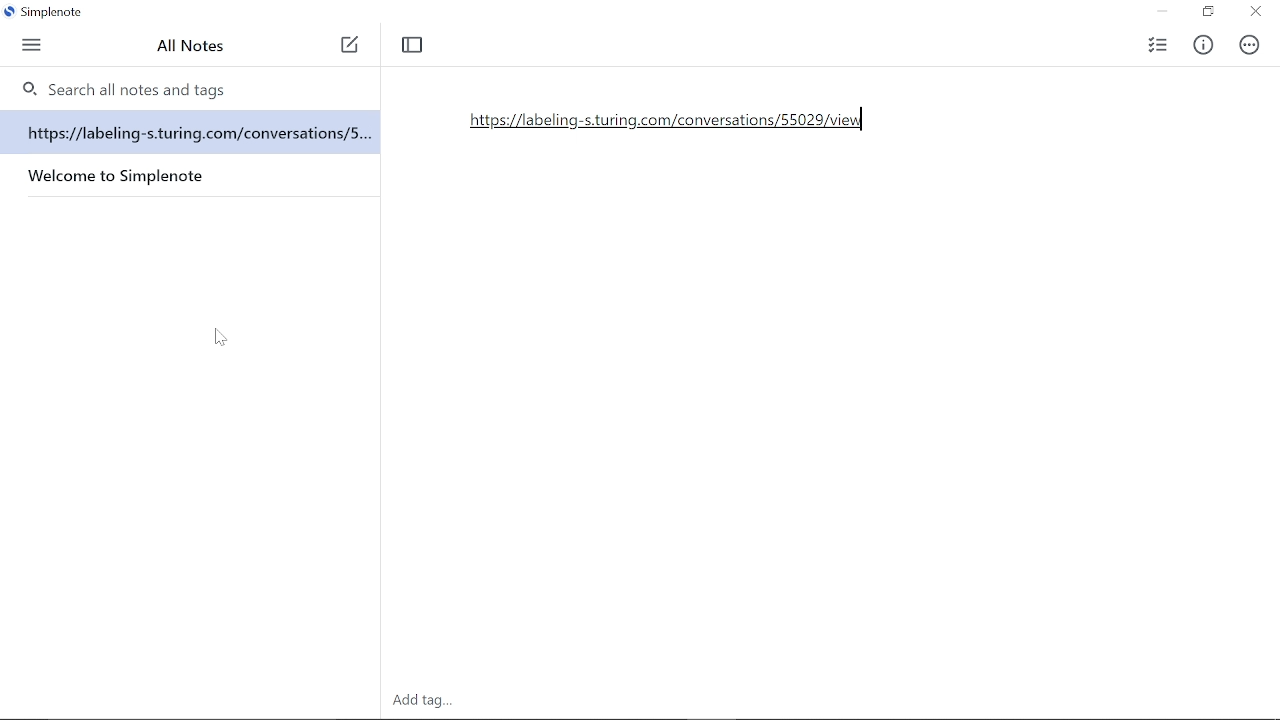 This screenshot has width=1280, height=720. Describe the element at coordinates (346, 51) in the screenshot. I see `New note` at that location.